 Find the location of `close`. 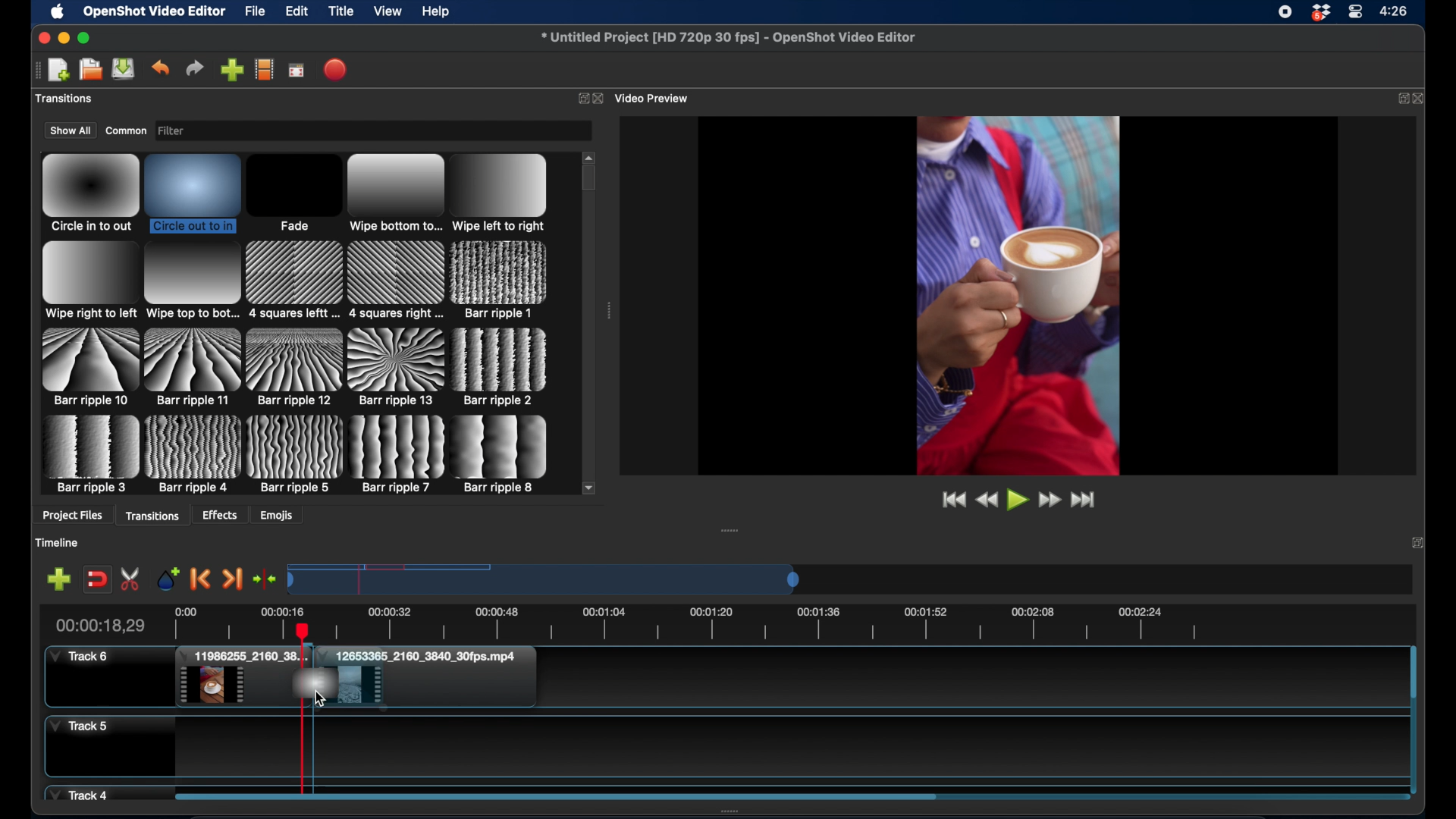

close is located at coordinates (1422, 98).